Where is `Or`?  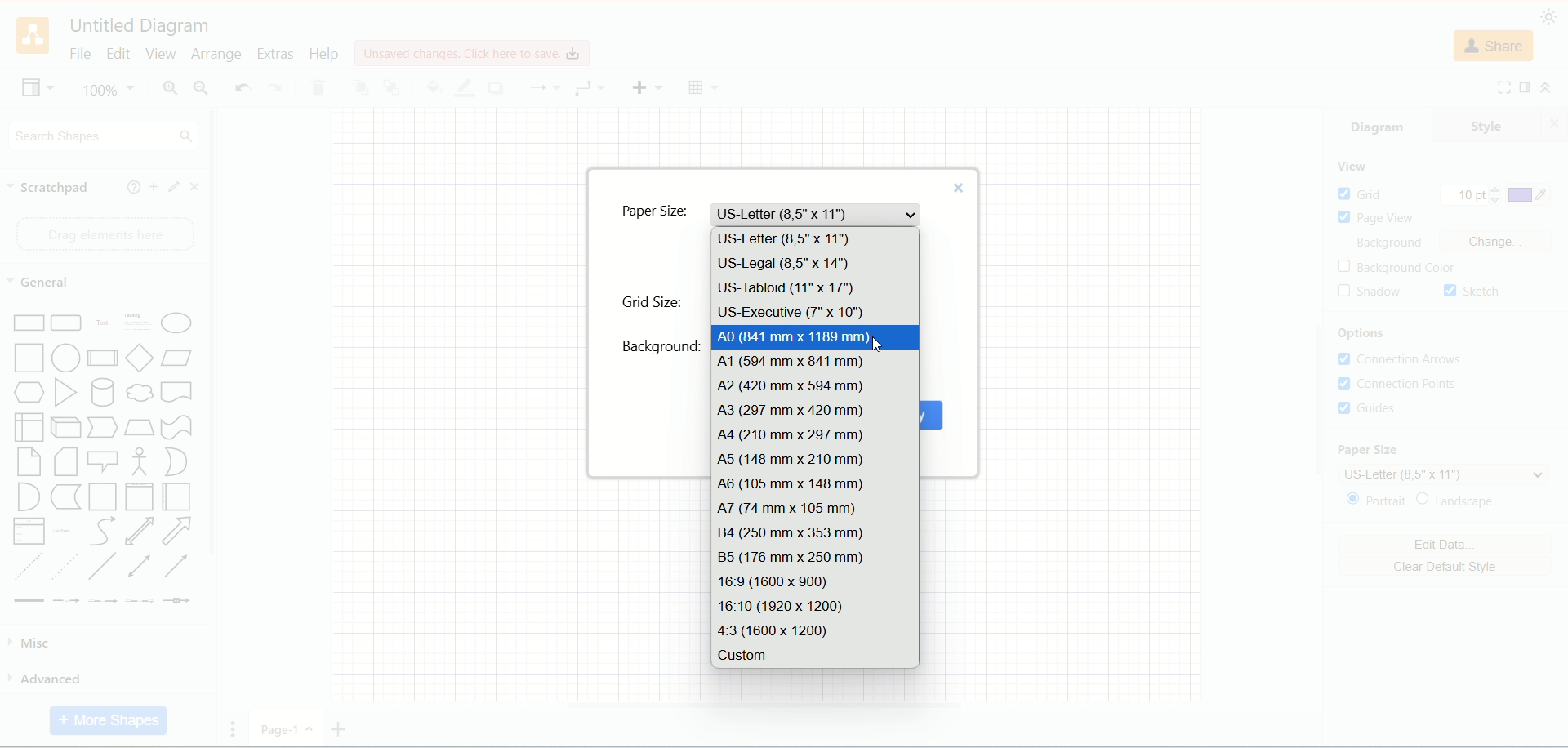 Or is located at coordinates (180, 461).